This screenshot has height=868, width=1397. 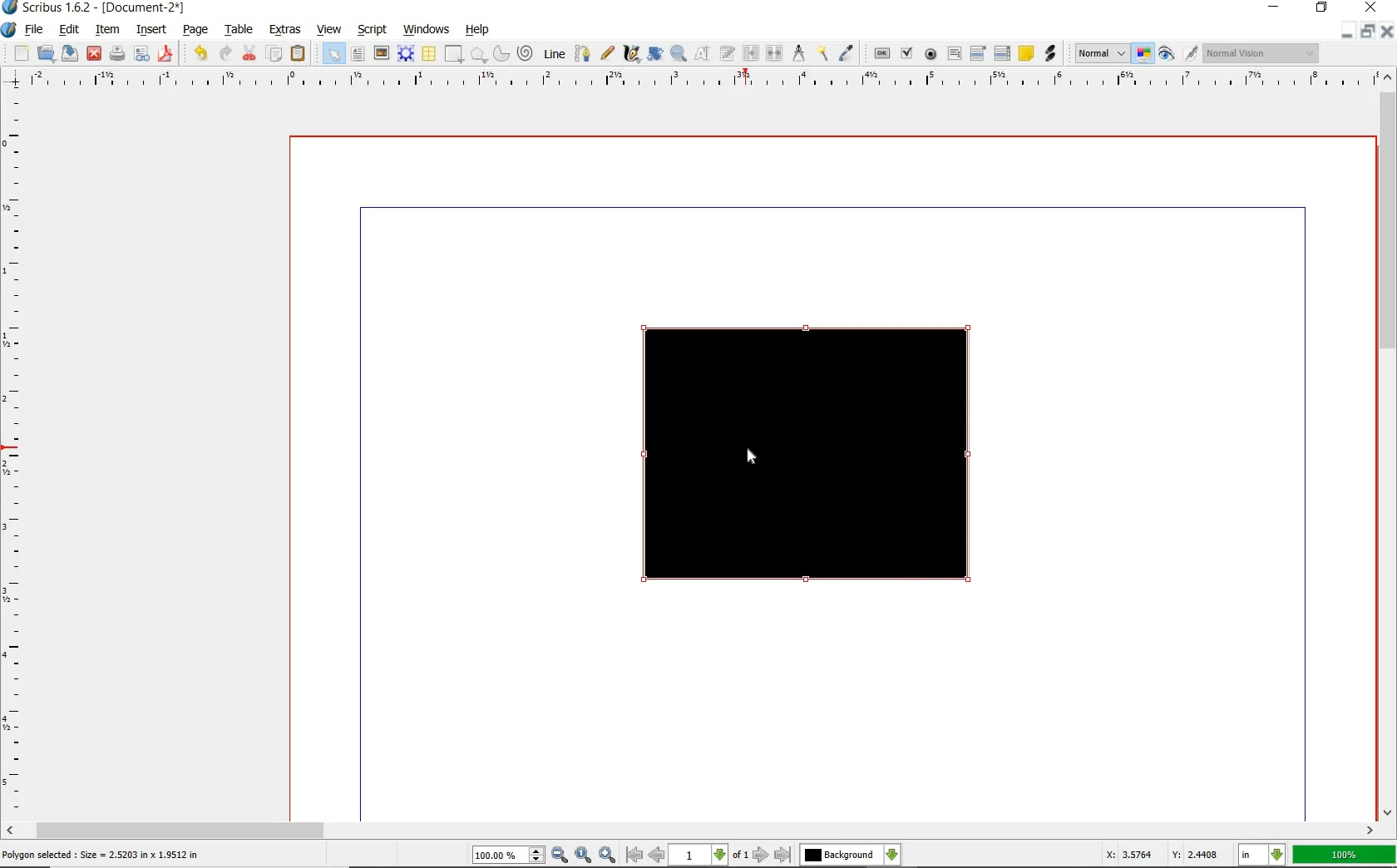 I want to click on edit text with story editor, so click(x=727, y=55).